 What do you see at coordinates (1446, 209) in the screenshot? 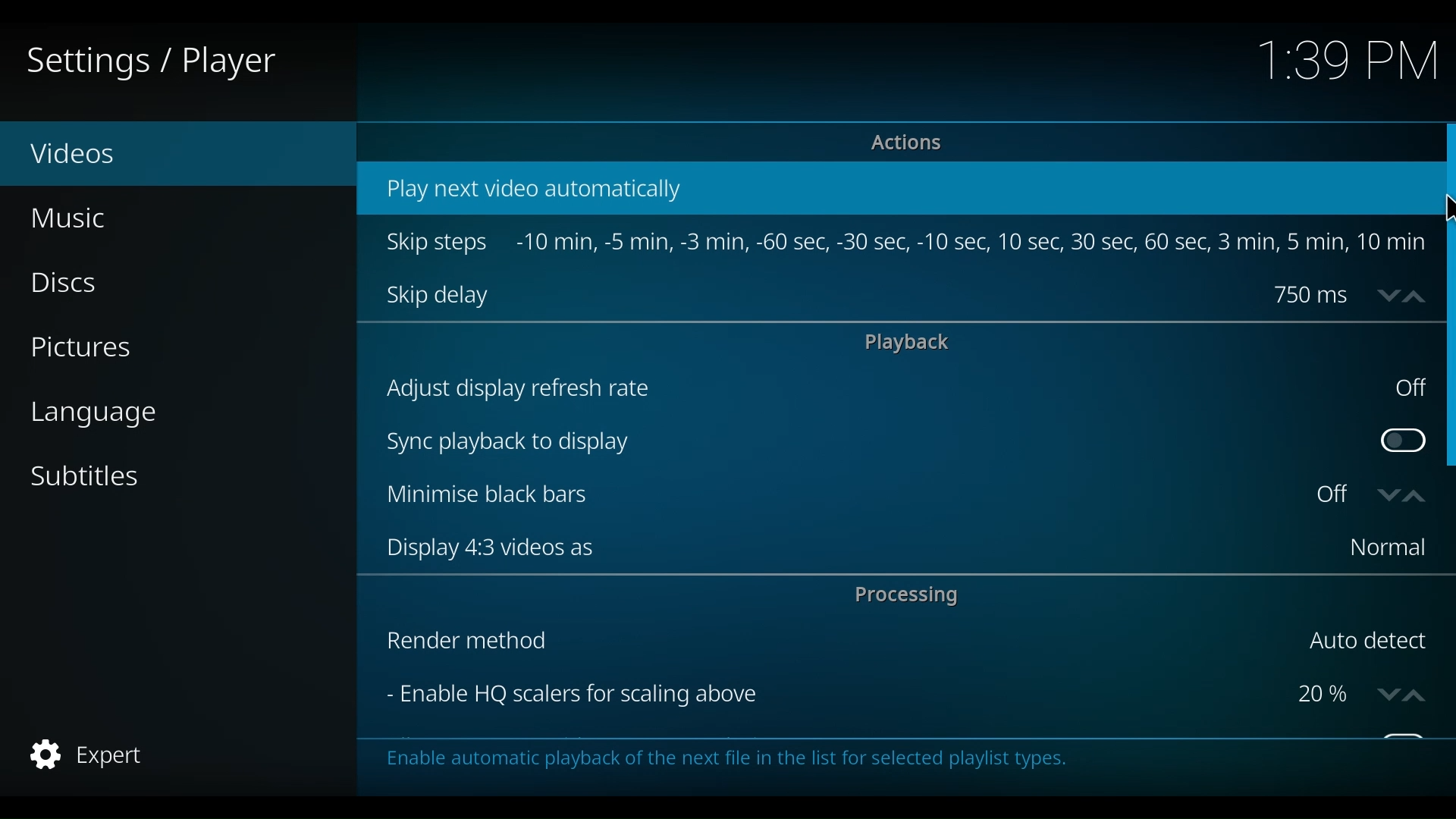
I see `Cursor` at bounding box center [1446, 209].